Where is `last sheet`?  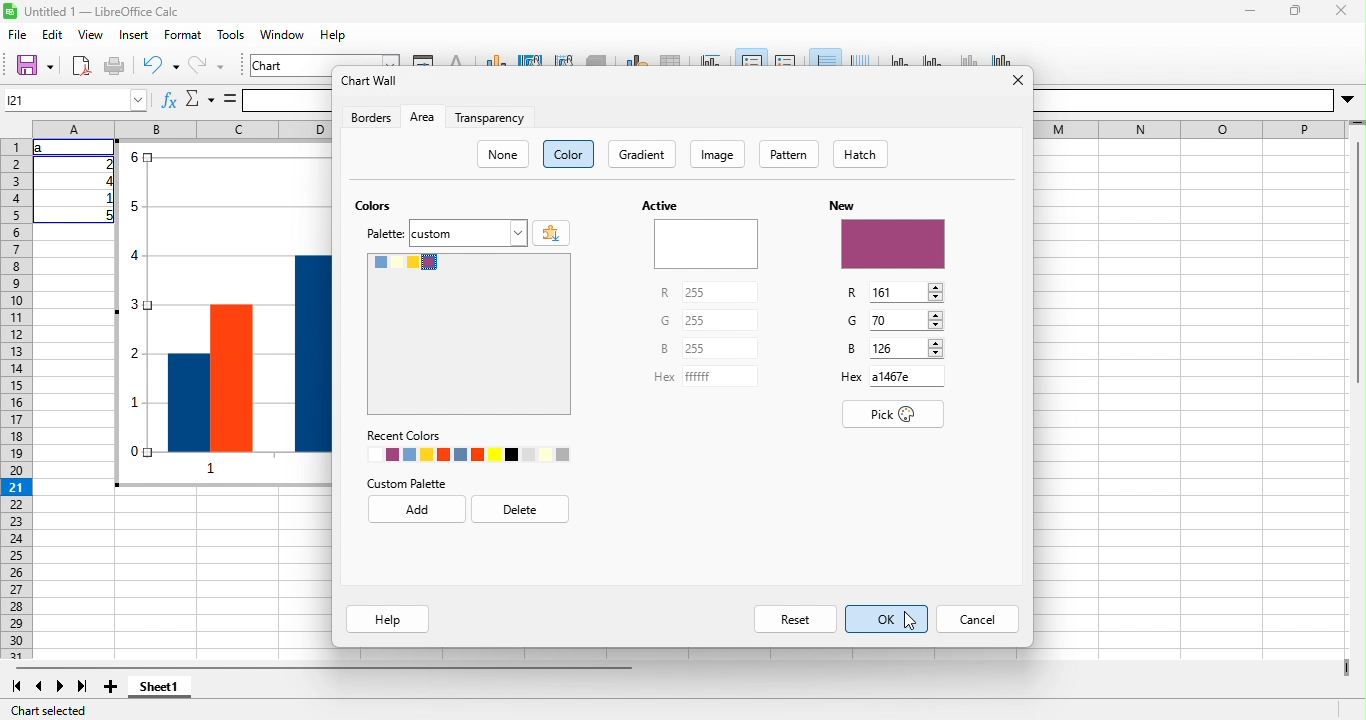
last sheet is located at coordinates (84, 686).